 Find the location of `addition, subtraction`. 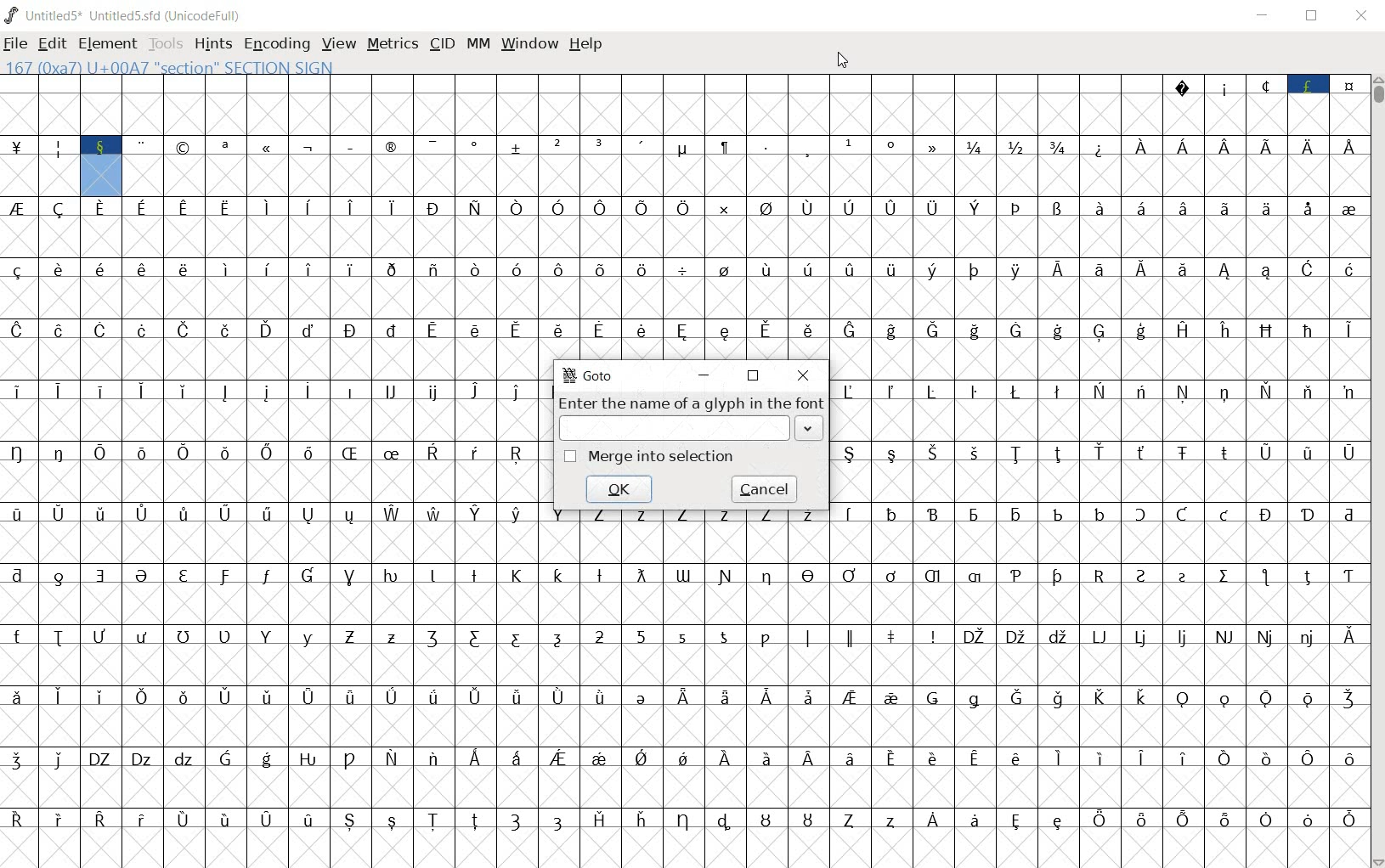

addition, subtraction is located at coordinates (477, 167).